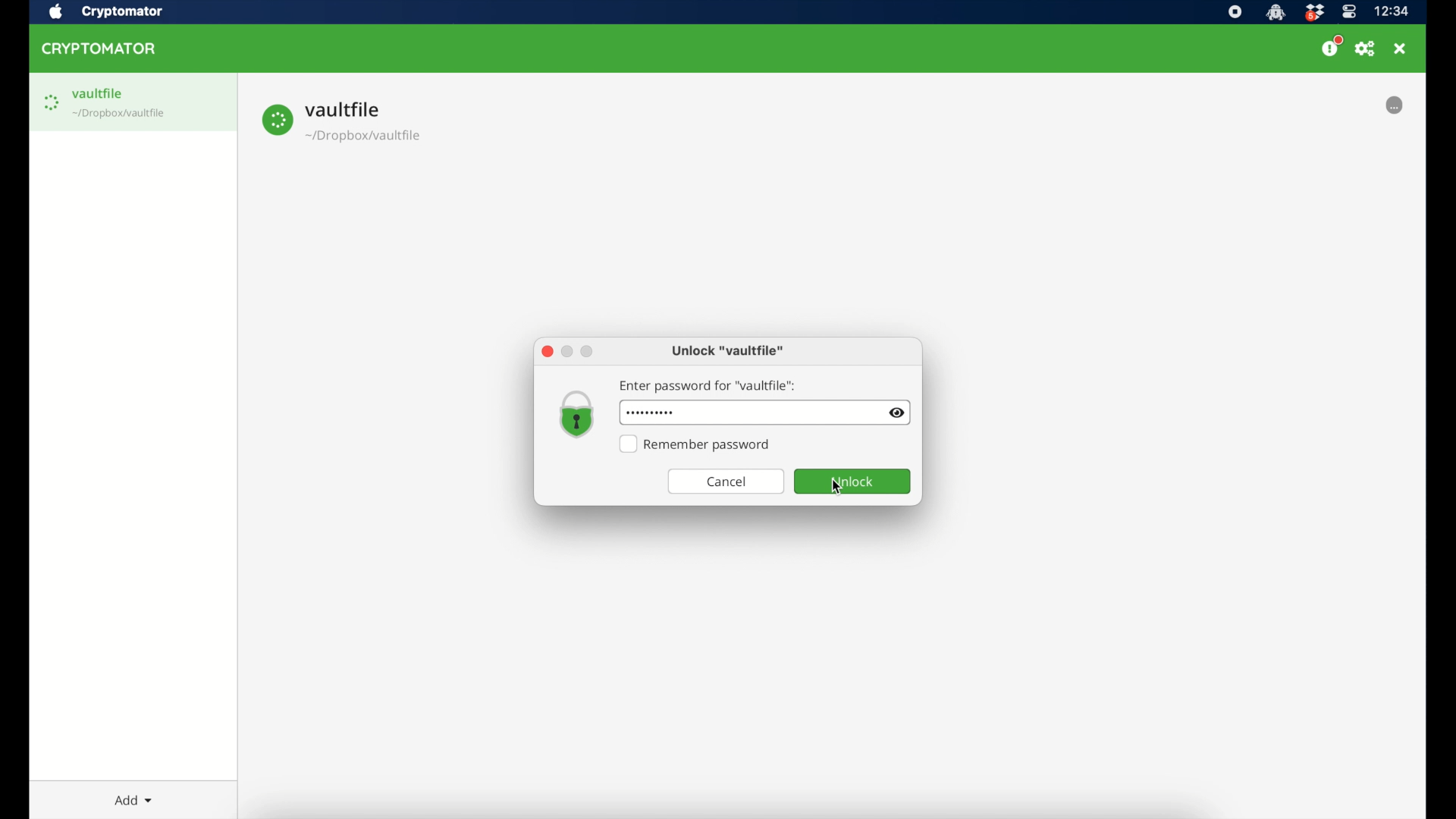 The image size is (1456, 819). Describe the element at coordinates (99, 48) in the screenshot. I see `cryptomator` at that location.